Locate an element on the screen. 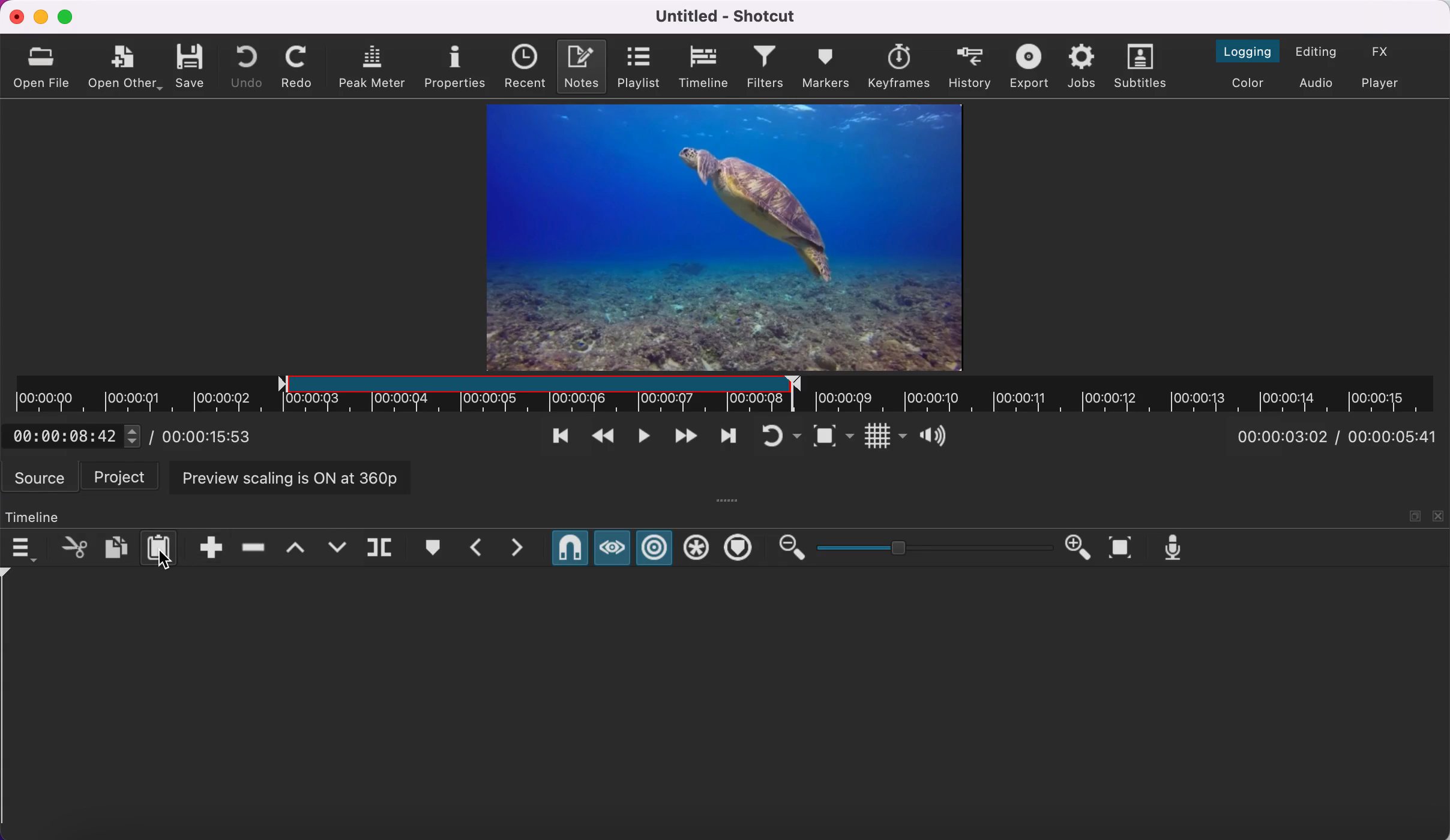 The height and width of the screenshot is (840, 1450). ripple markers is located at coordinates (739, 548).